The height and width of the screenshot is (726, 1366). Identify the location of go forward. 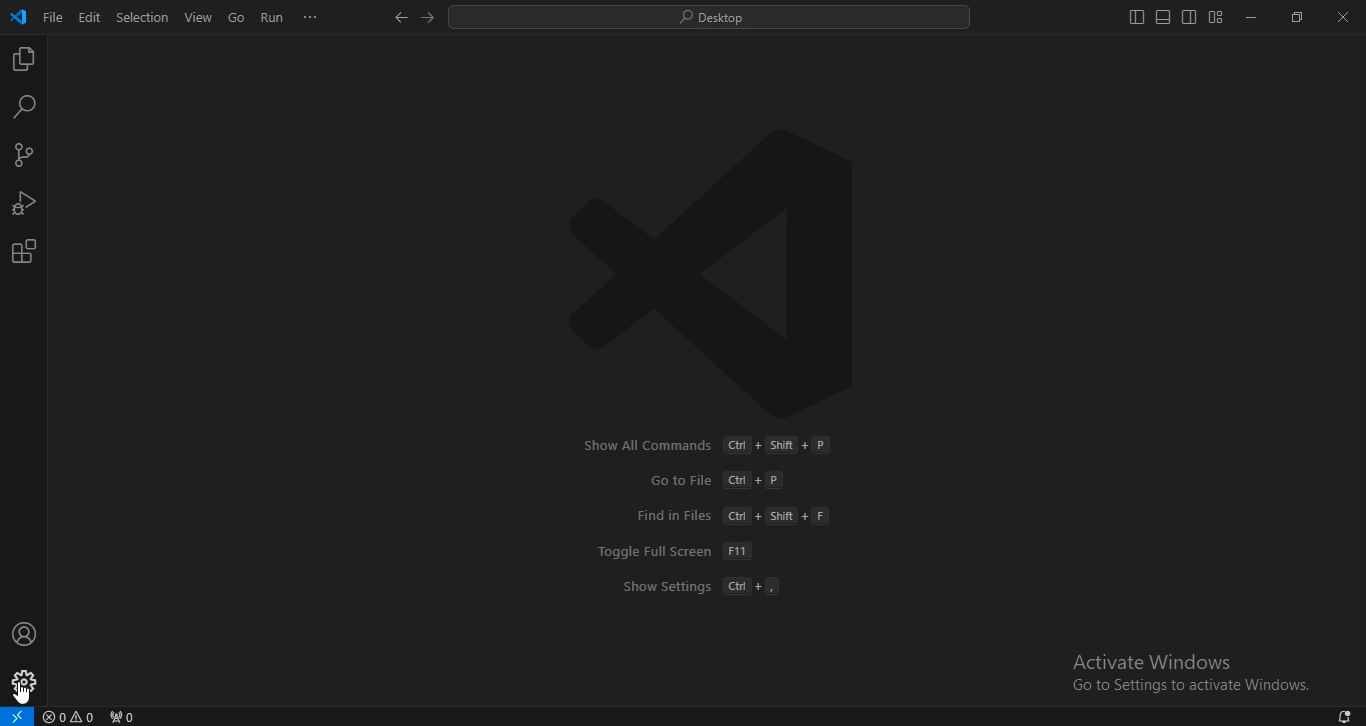
(431, 17).